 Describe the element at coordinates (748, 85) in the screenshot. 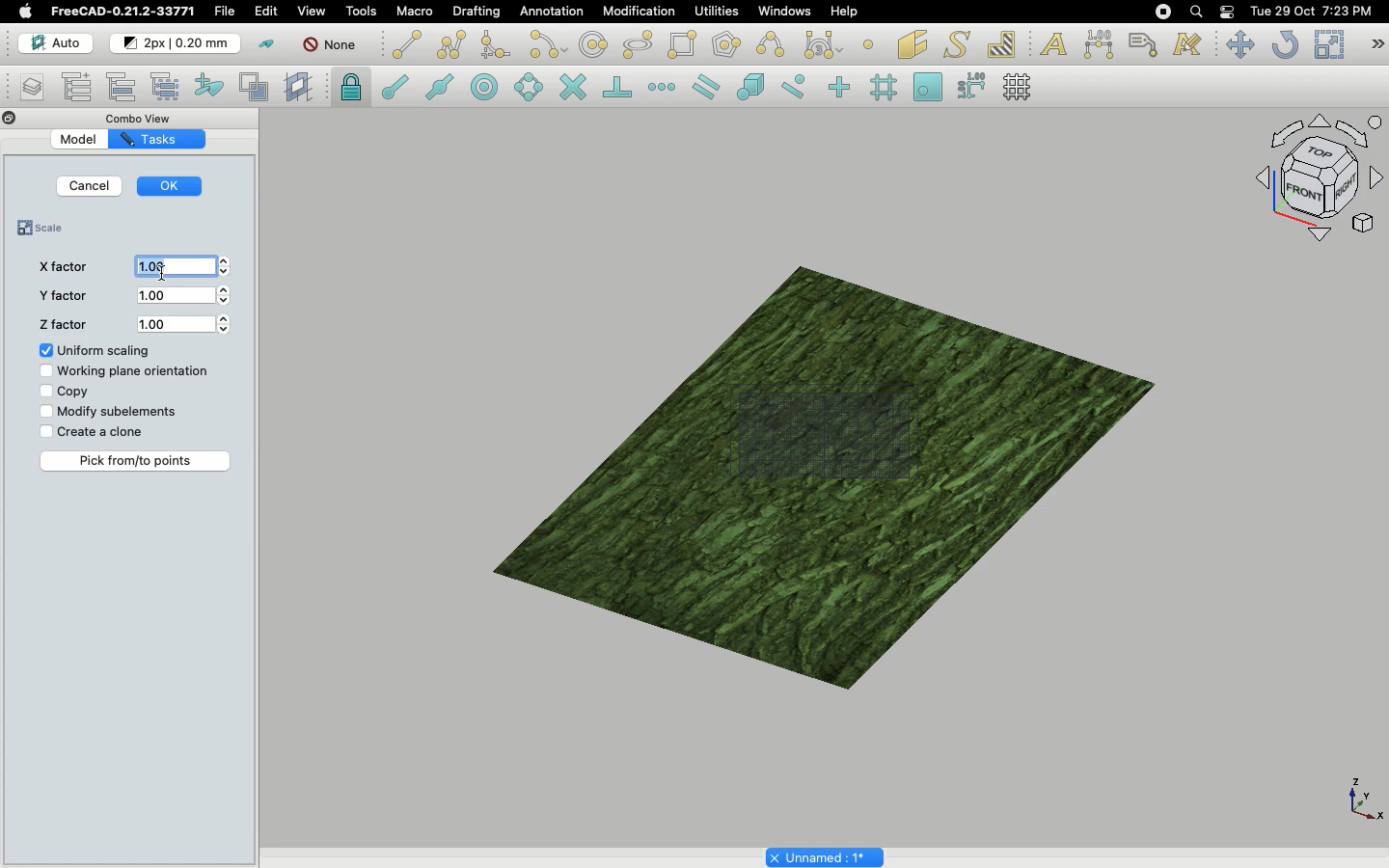

I see `Snap special` at that location.